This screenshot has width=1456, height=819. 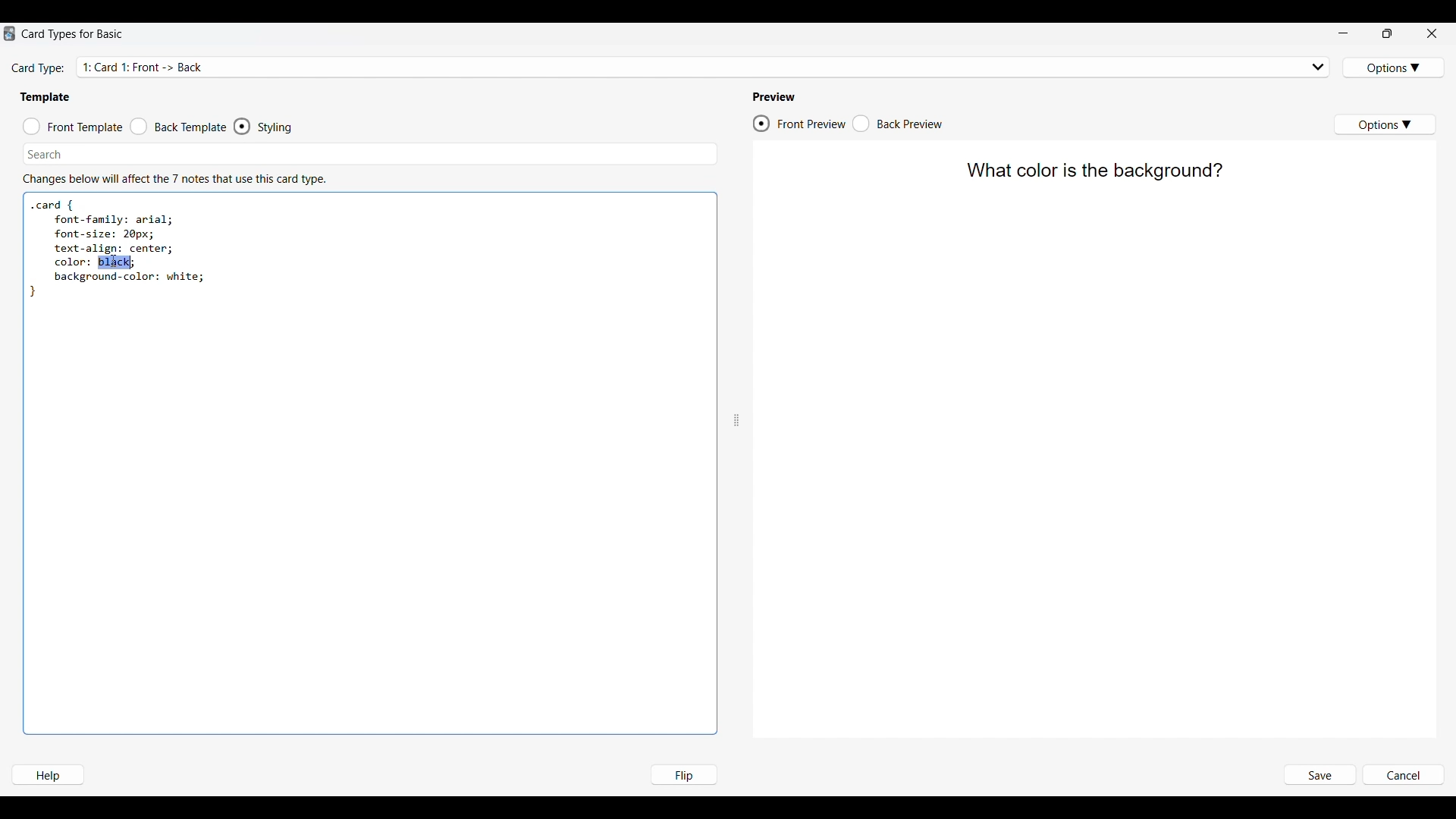 What do you see at coordinates (1395, 67) in the screenshot?
I see `Card type options` at bounding box center [1395, 67].